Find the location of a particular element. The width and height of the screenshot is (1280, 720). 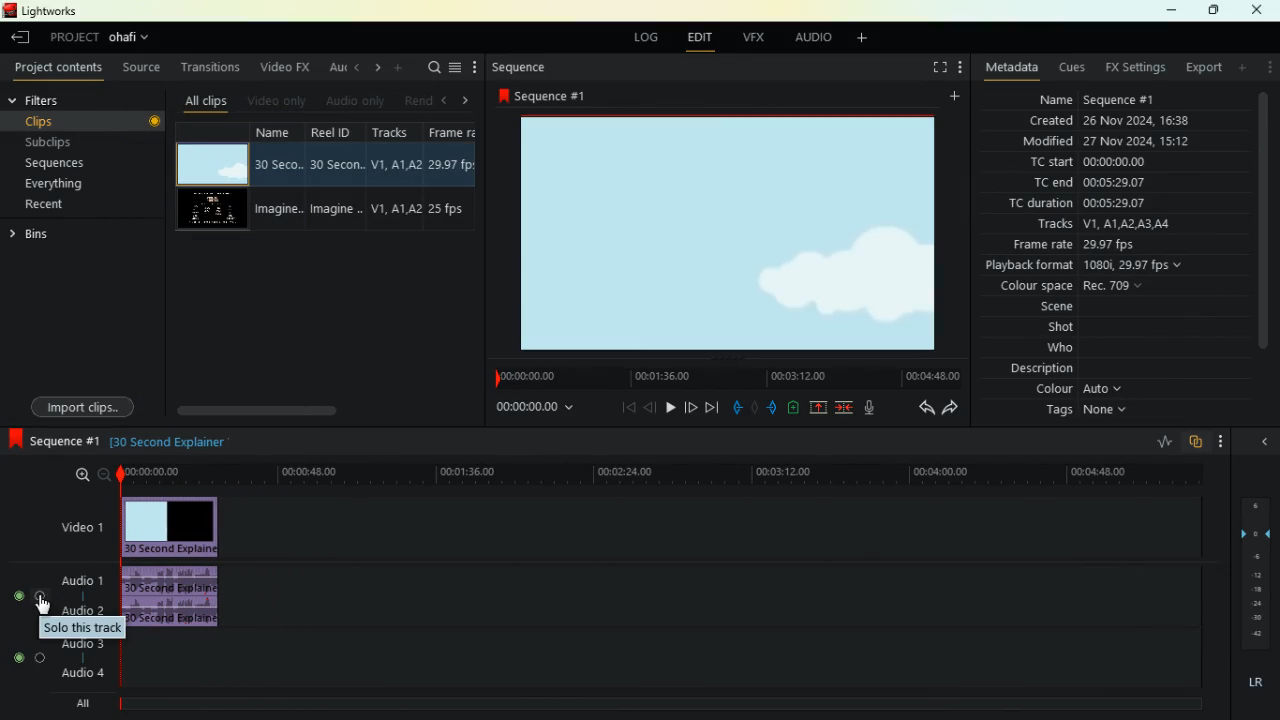

add is located at coordinates (952, 97).